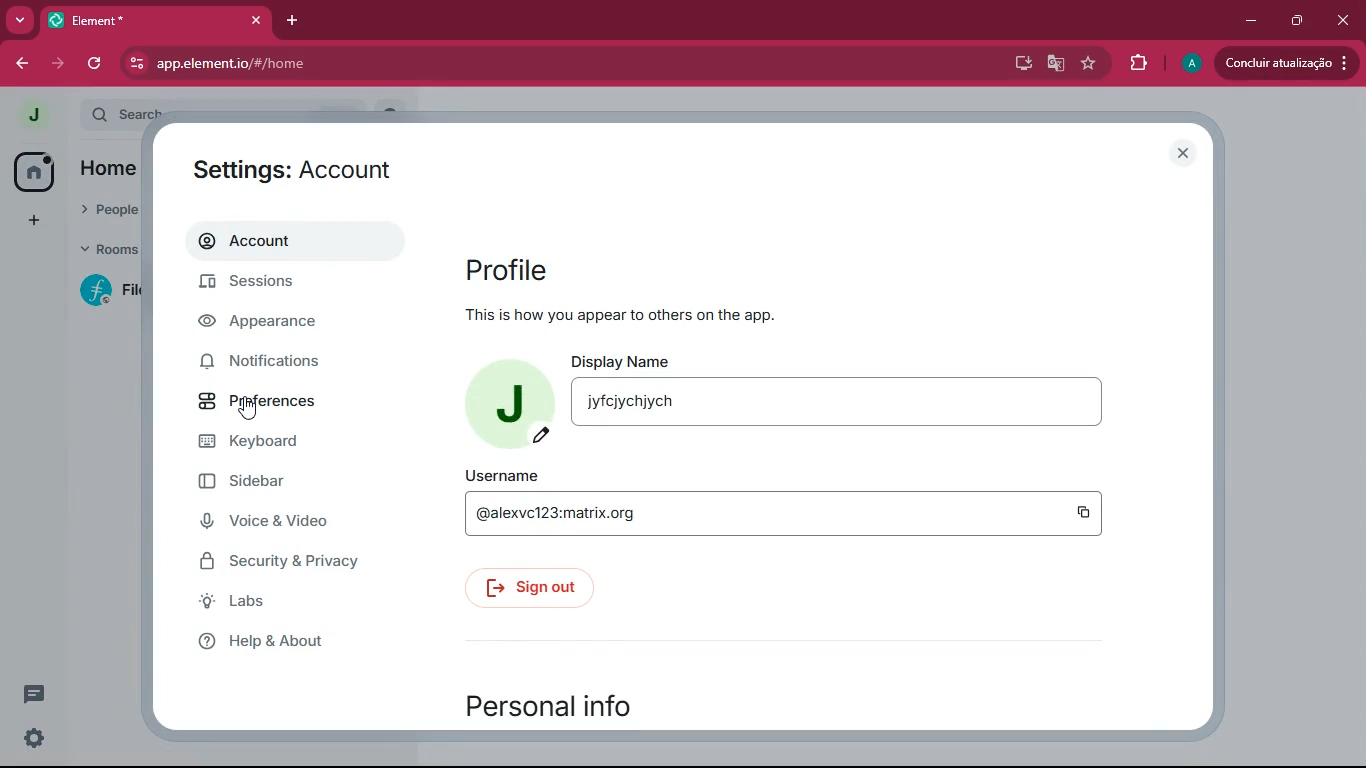 The width and height of the screenshot is (1366, 768). What do you see at coordinates (288, 639) in the screenshot?
I see `help & about` at bounding box center [288, 639].